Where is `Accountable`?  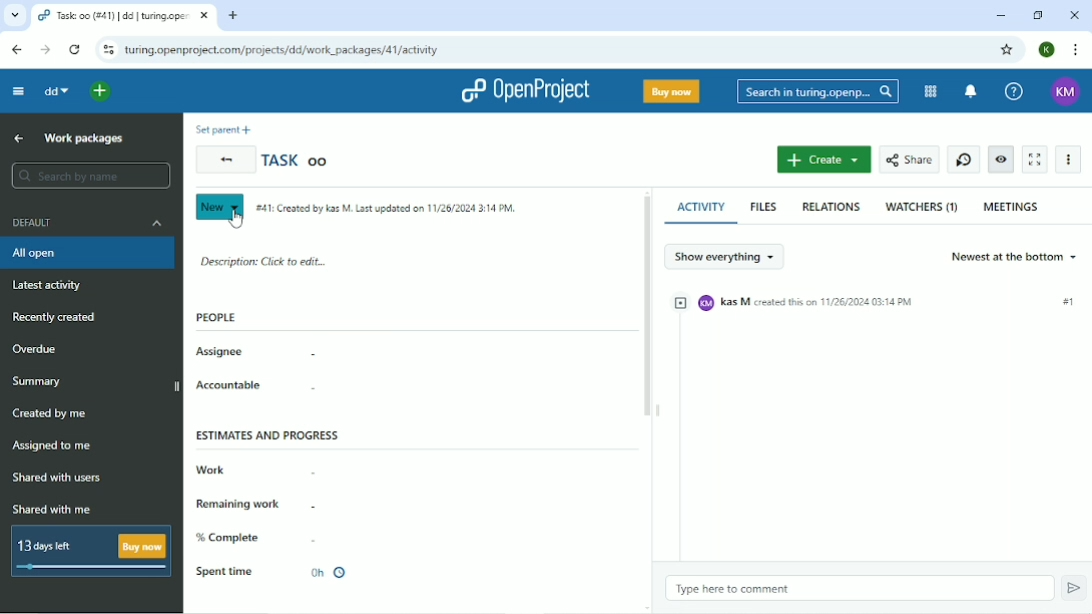
Accountable is located at coordinates (231, 385).